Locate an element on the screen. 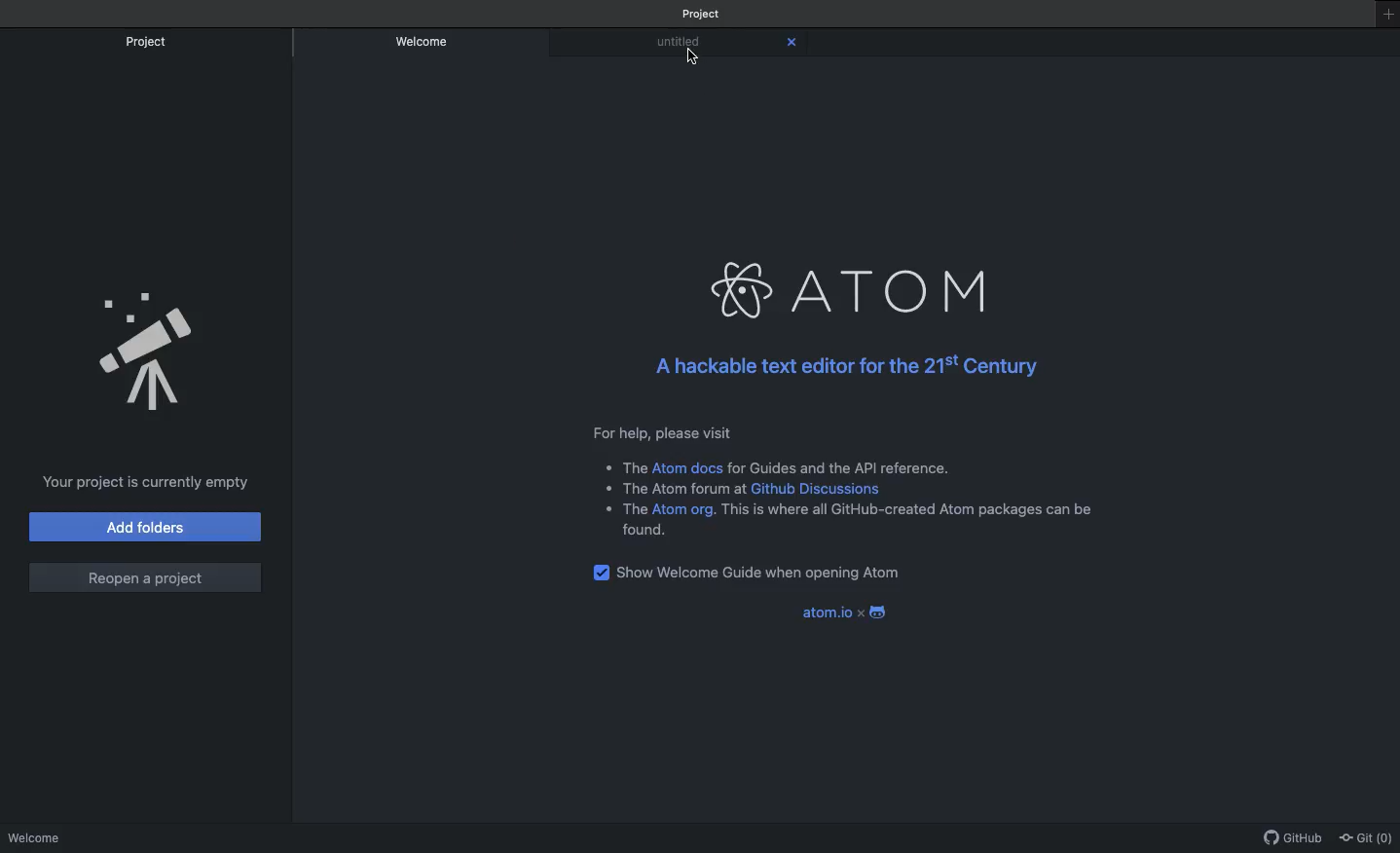 Image resolution: width=1400 pixels, height=853 pixels. GitHub is located at coordinates (1294, 839).